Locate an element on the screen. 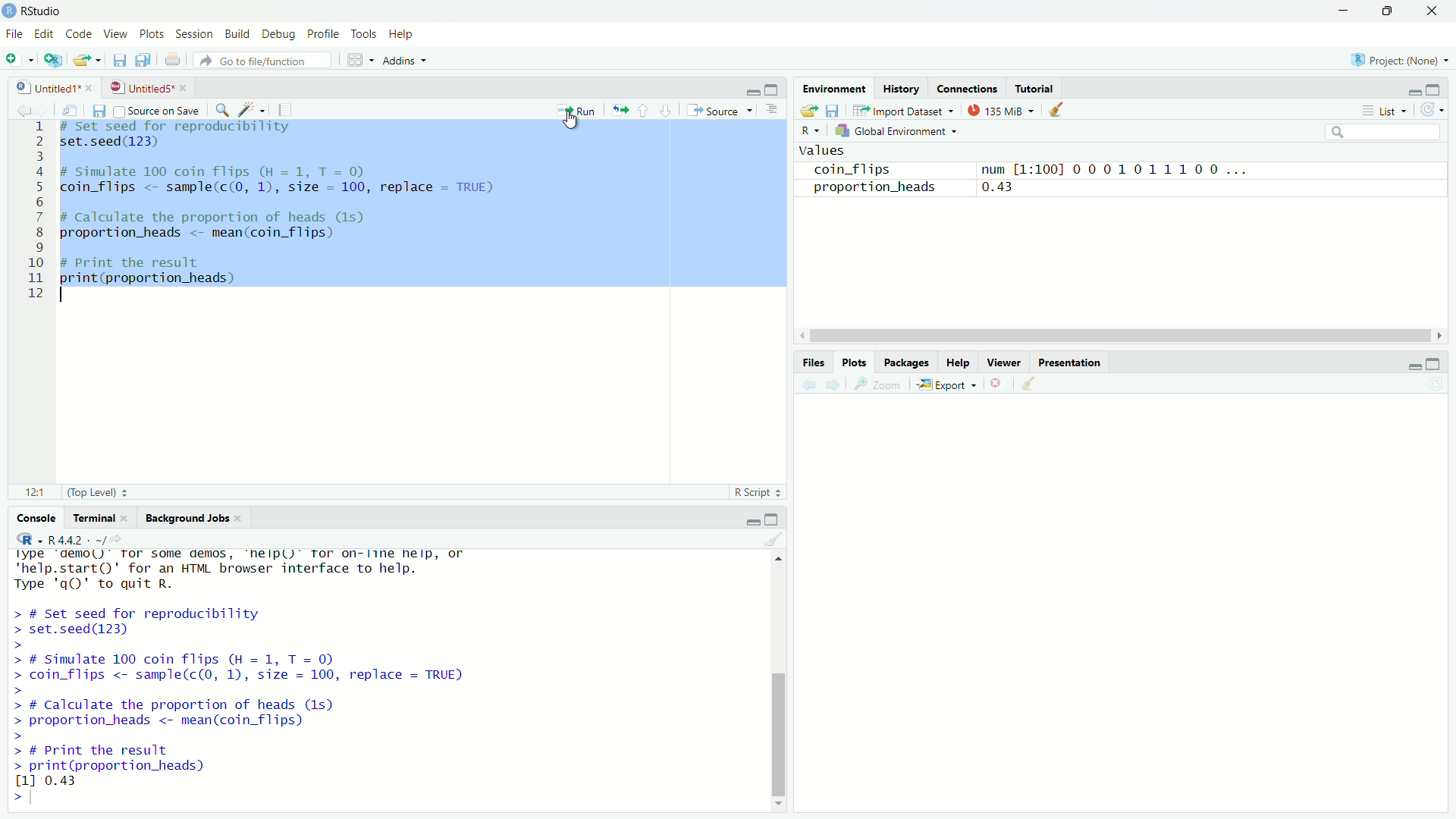  hide document outline is located at coordinates (776, 110).